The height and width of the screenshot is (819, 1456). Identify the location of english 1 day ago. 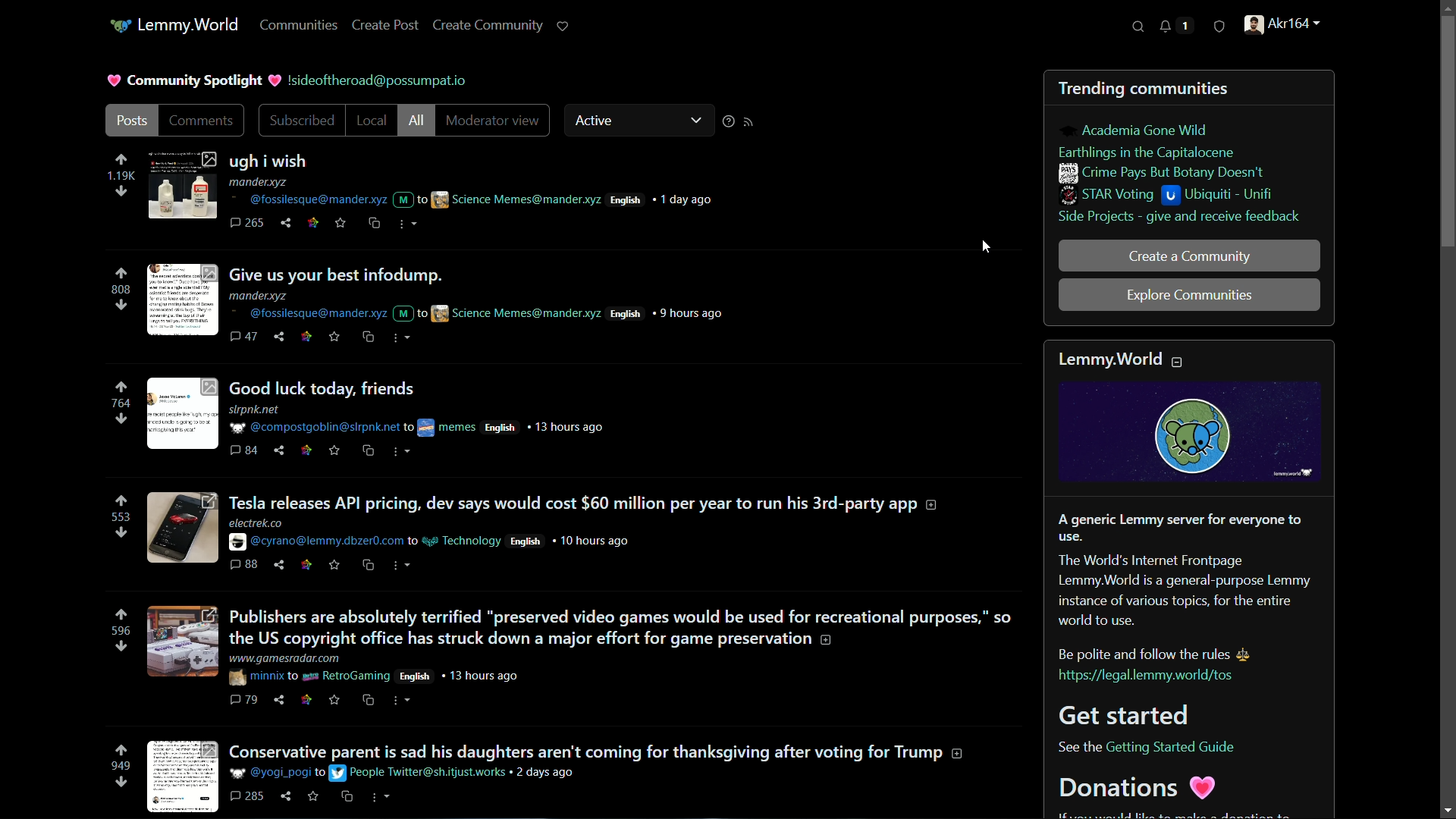
(666, 199).